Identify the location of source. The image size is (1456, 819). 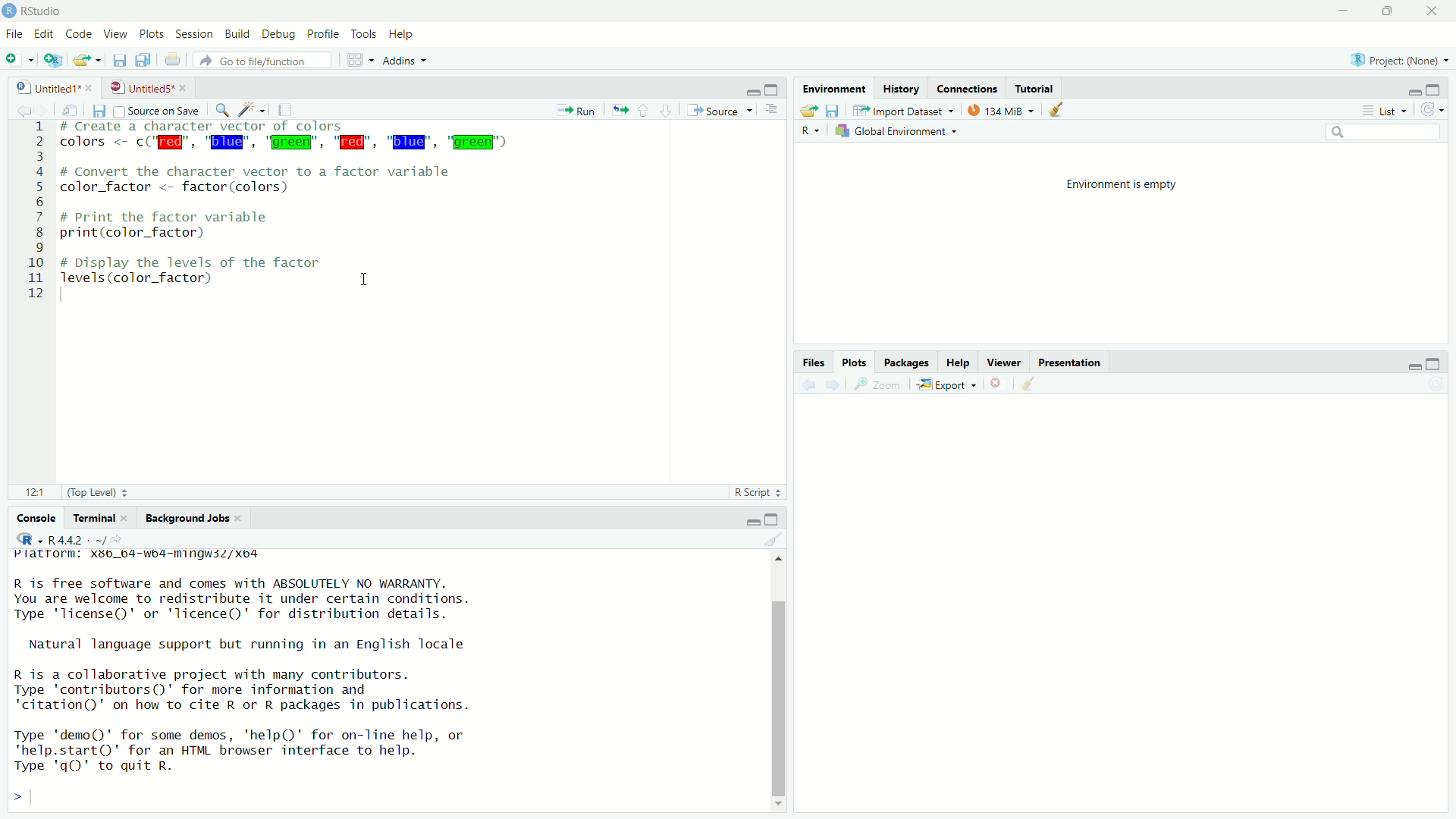
(718, 111).